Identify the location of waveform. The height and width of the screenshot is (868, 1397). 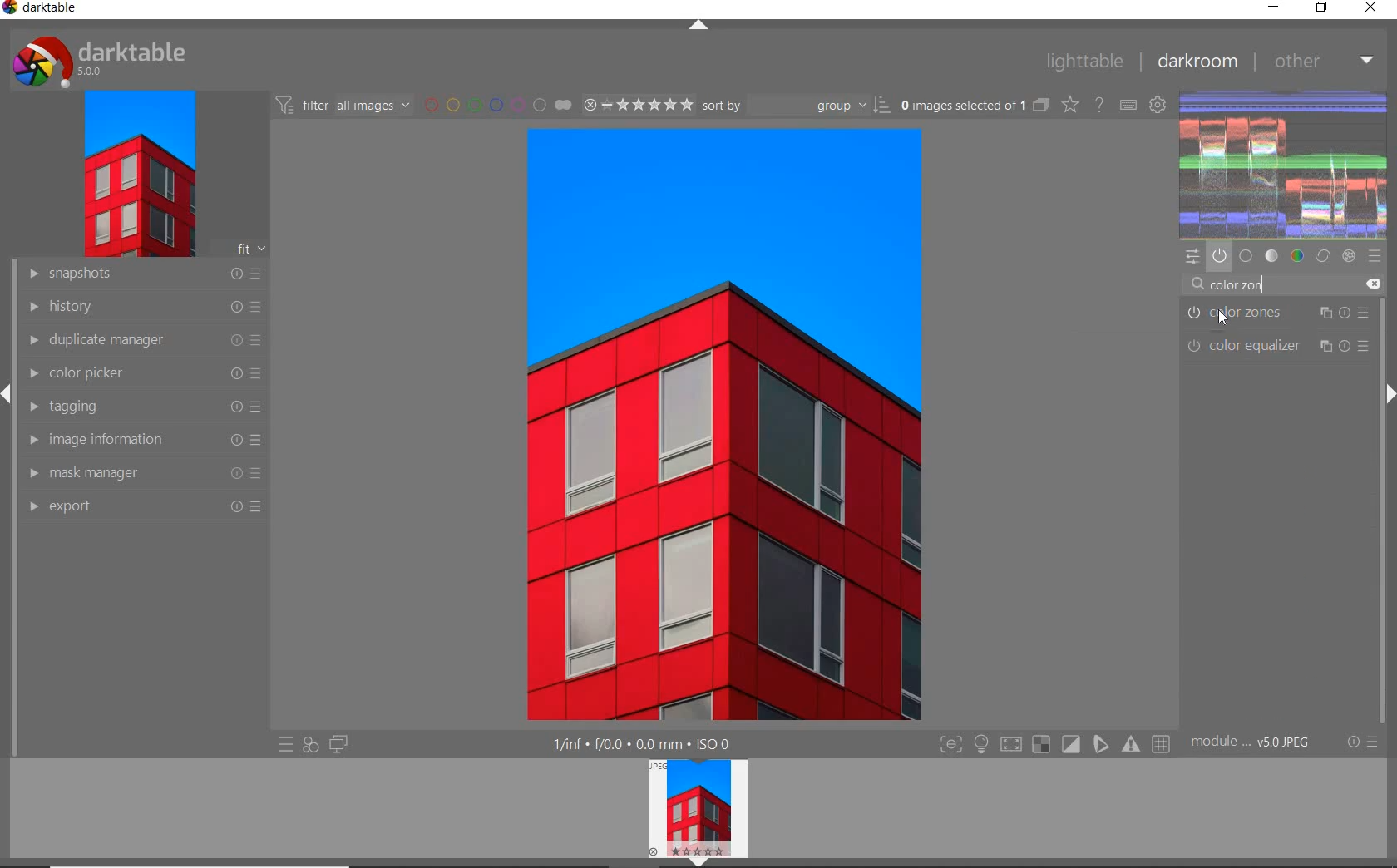
(1285, 163).